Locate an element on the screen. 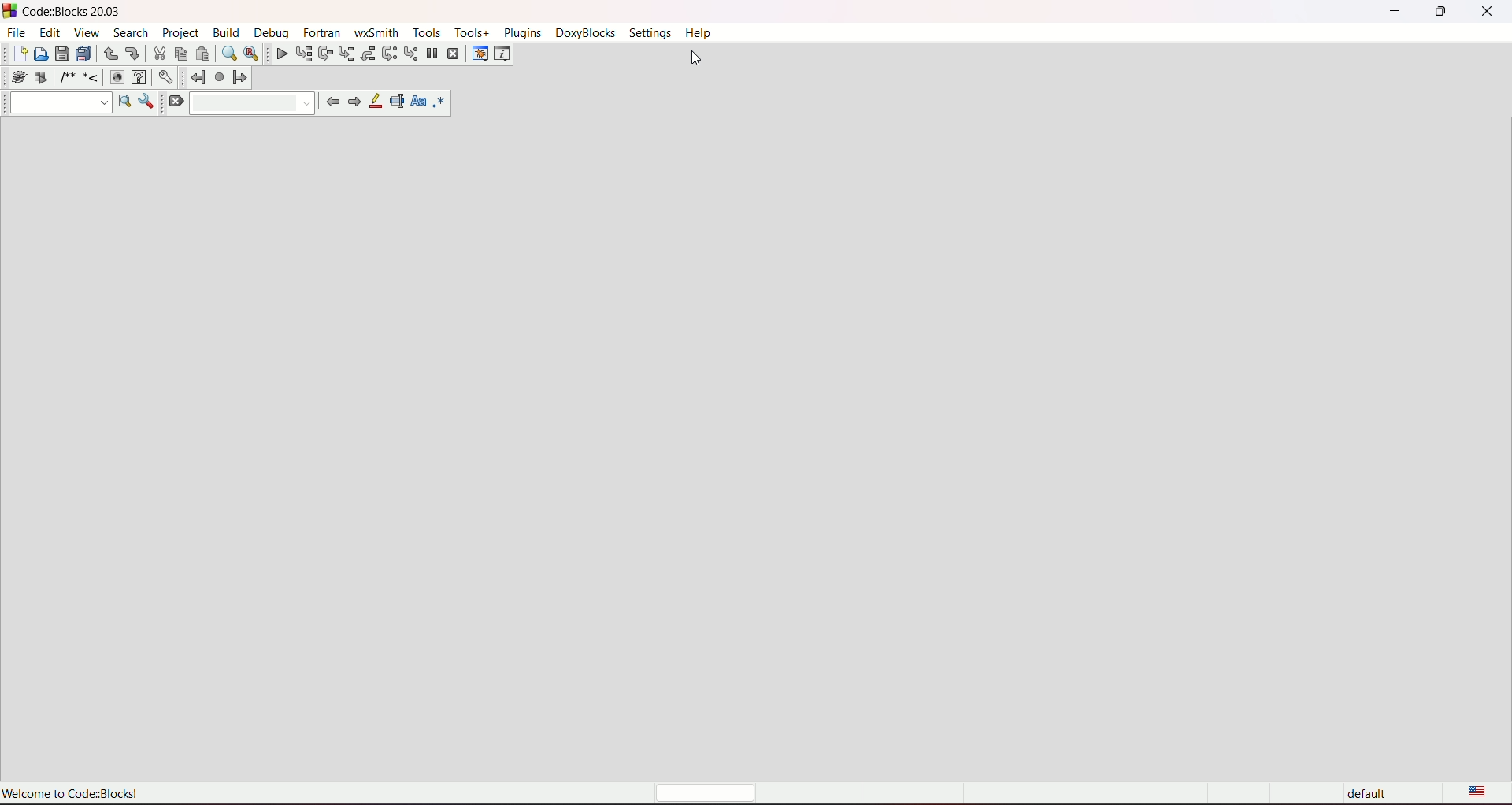  view is located at coordinates (84, 32).